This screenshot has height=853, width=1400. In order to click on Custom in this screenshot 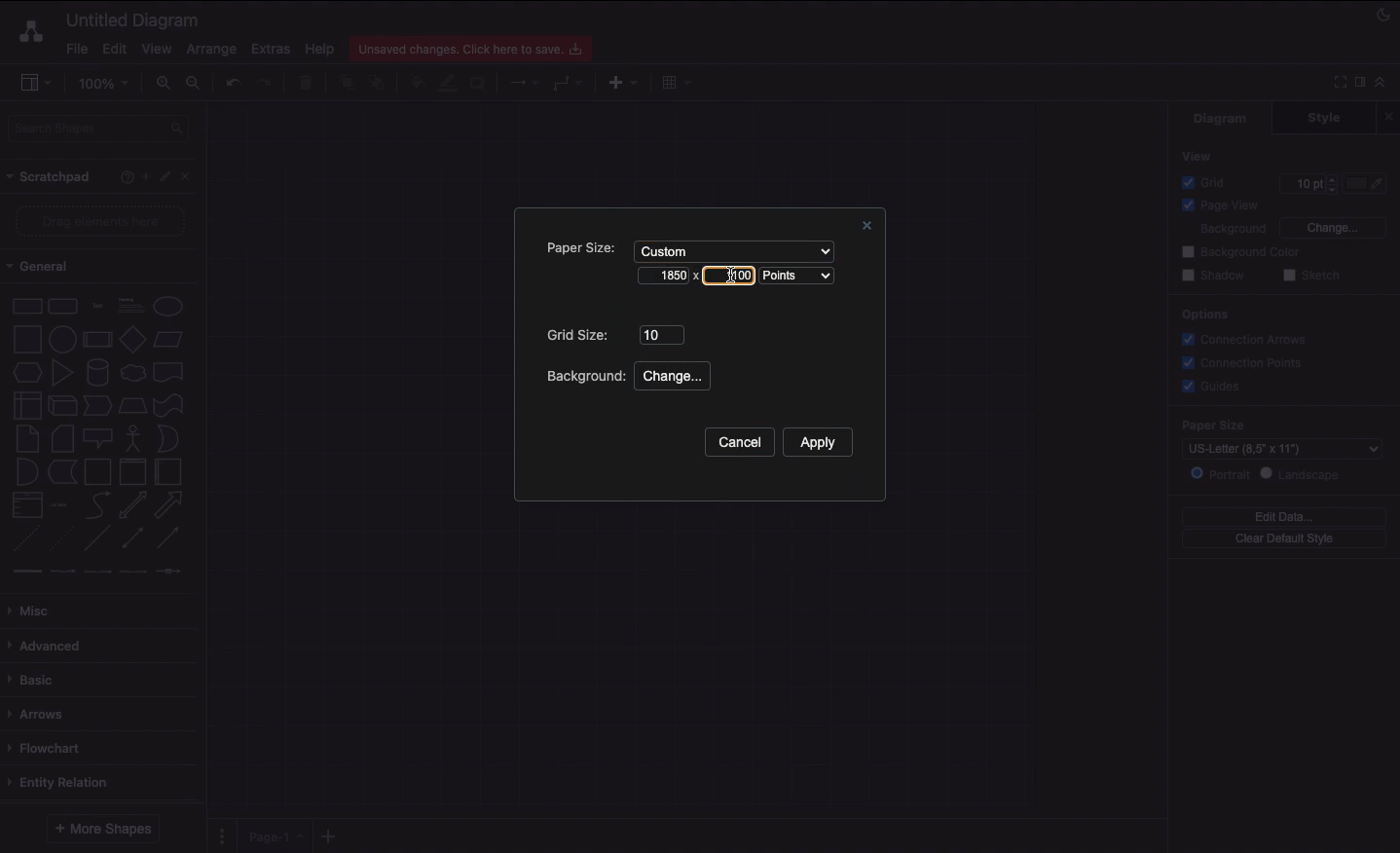, I will do `click(731, 249)`.